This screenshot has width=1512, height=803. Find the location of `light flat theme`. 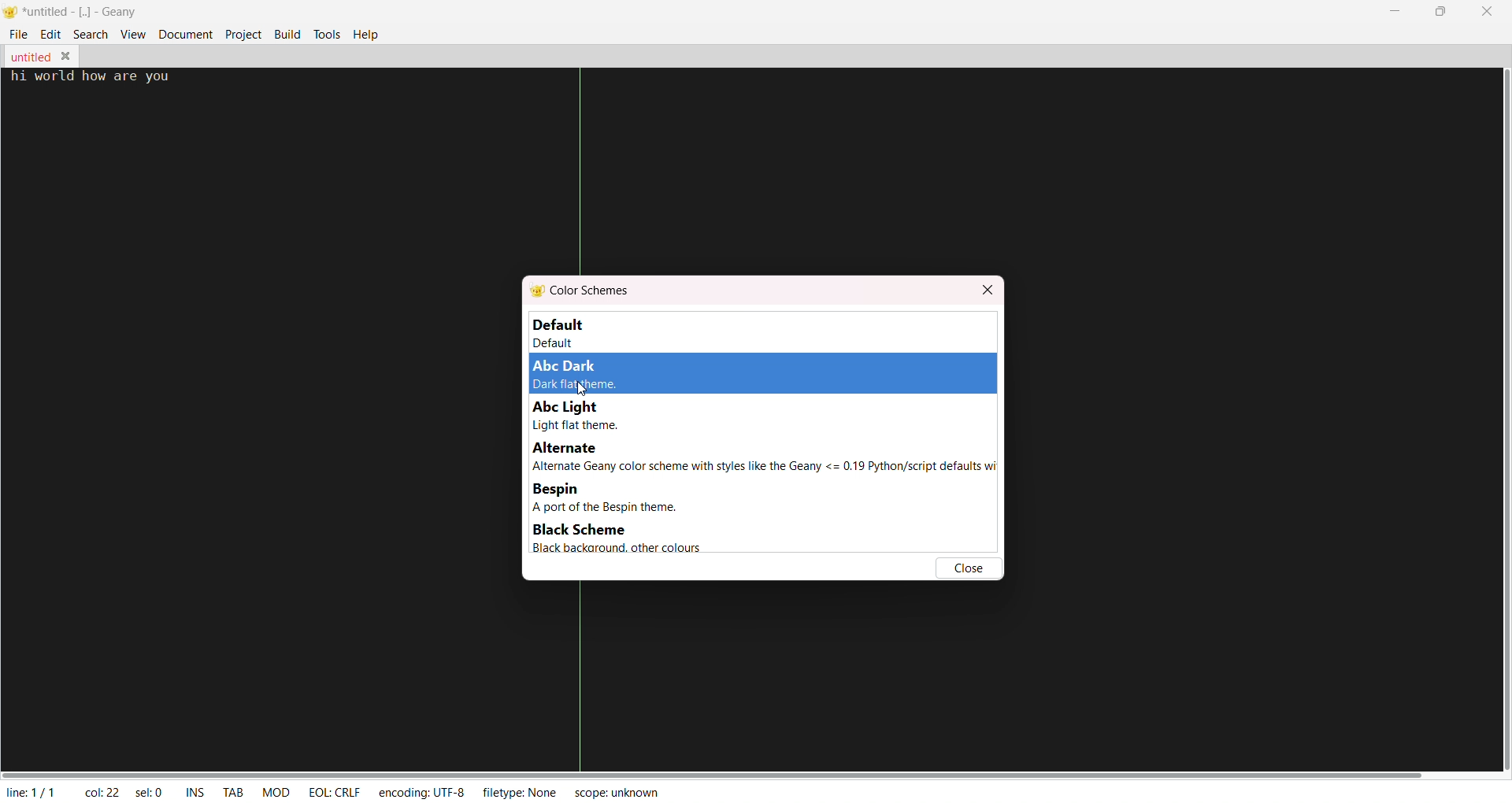

light flat theme is located at coordinates (575, 425).